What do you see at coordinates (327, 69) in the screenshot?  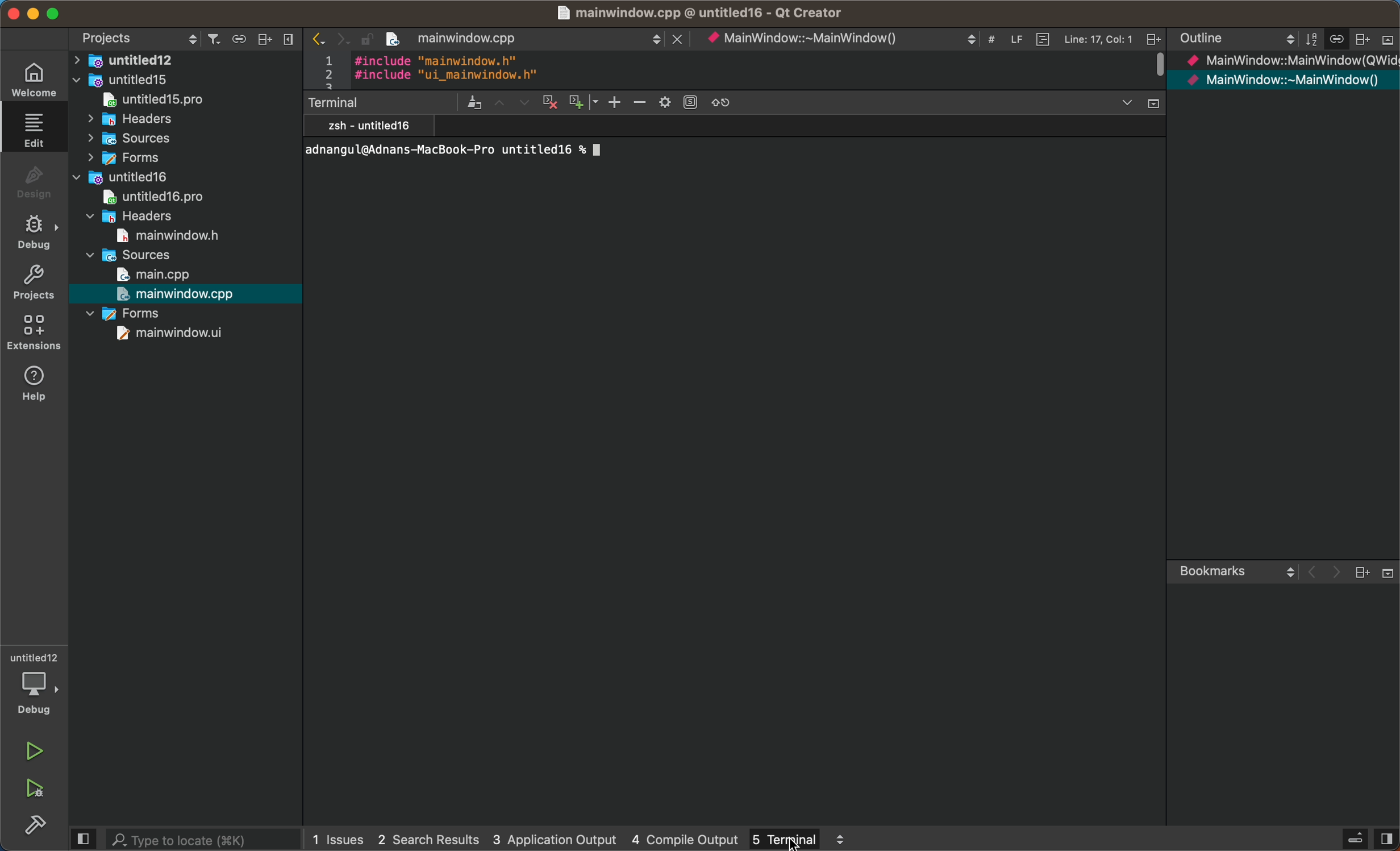 I see `numbers` at bounding box center [327, 69].